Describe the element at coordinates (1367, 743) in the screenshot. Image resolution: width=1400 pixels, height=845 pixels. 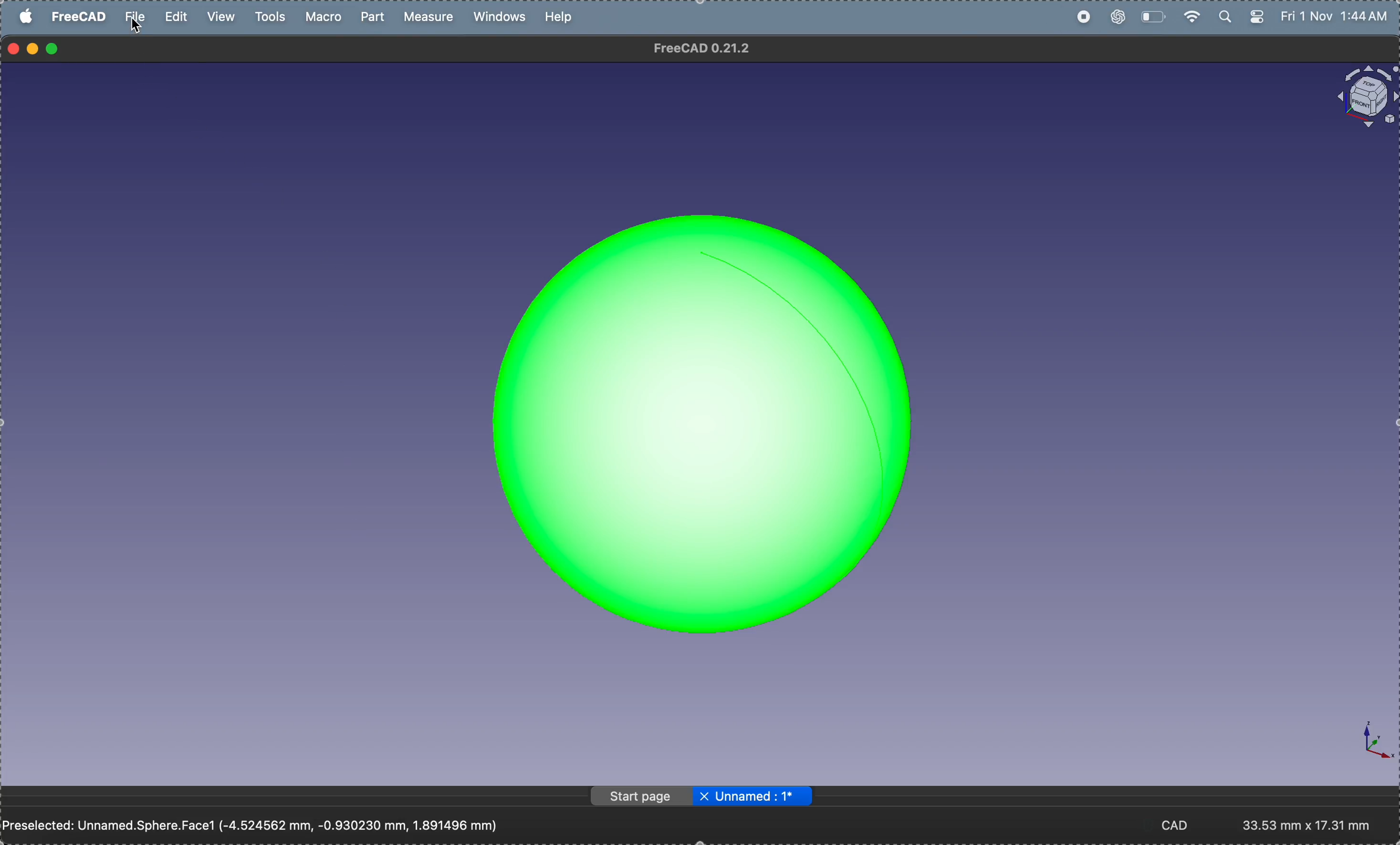
I see `axis` at that location.